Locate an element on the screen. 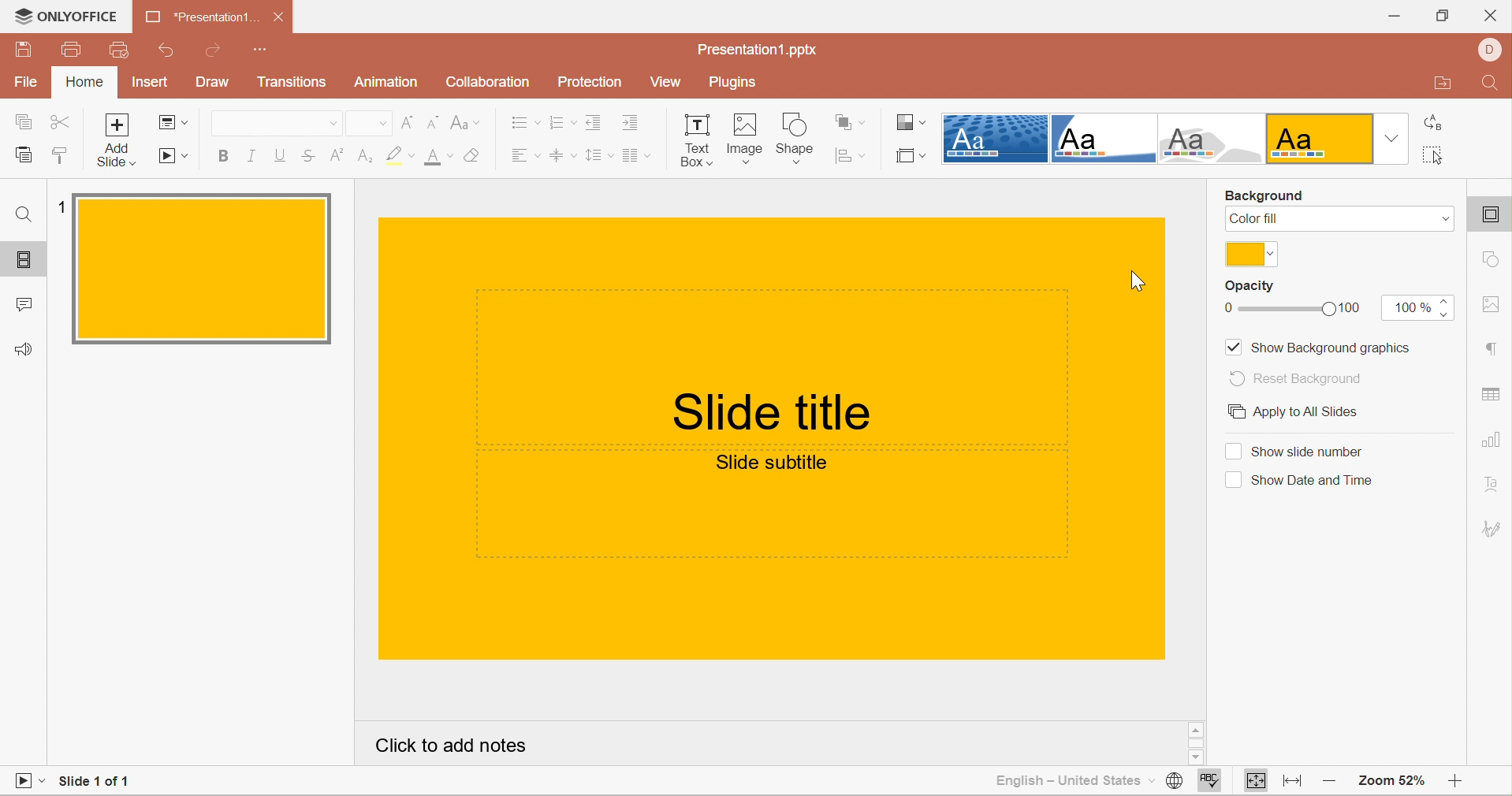 The image size is (1512, 796). Drop Down is located at coordinates (330, 125).